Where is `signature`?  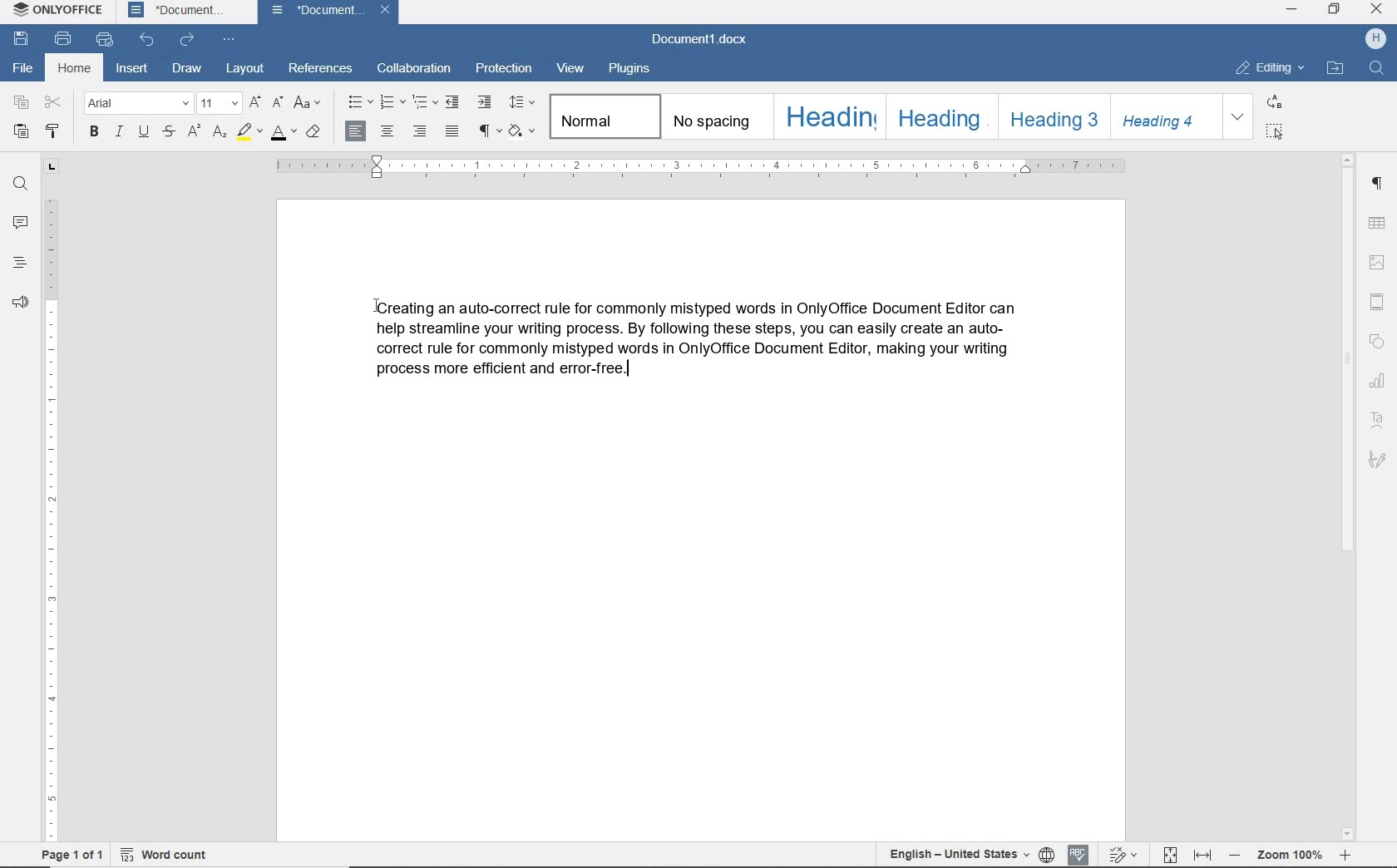 signature is located at coordinates (1379, 460).